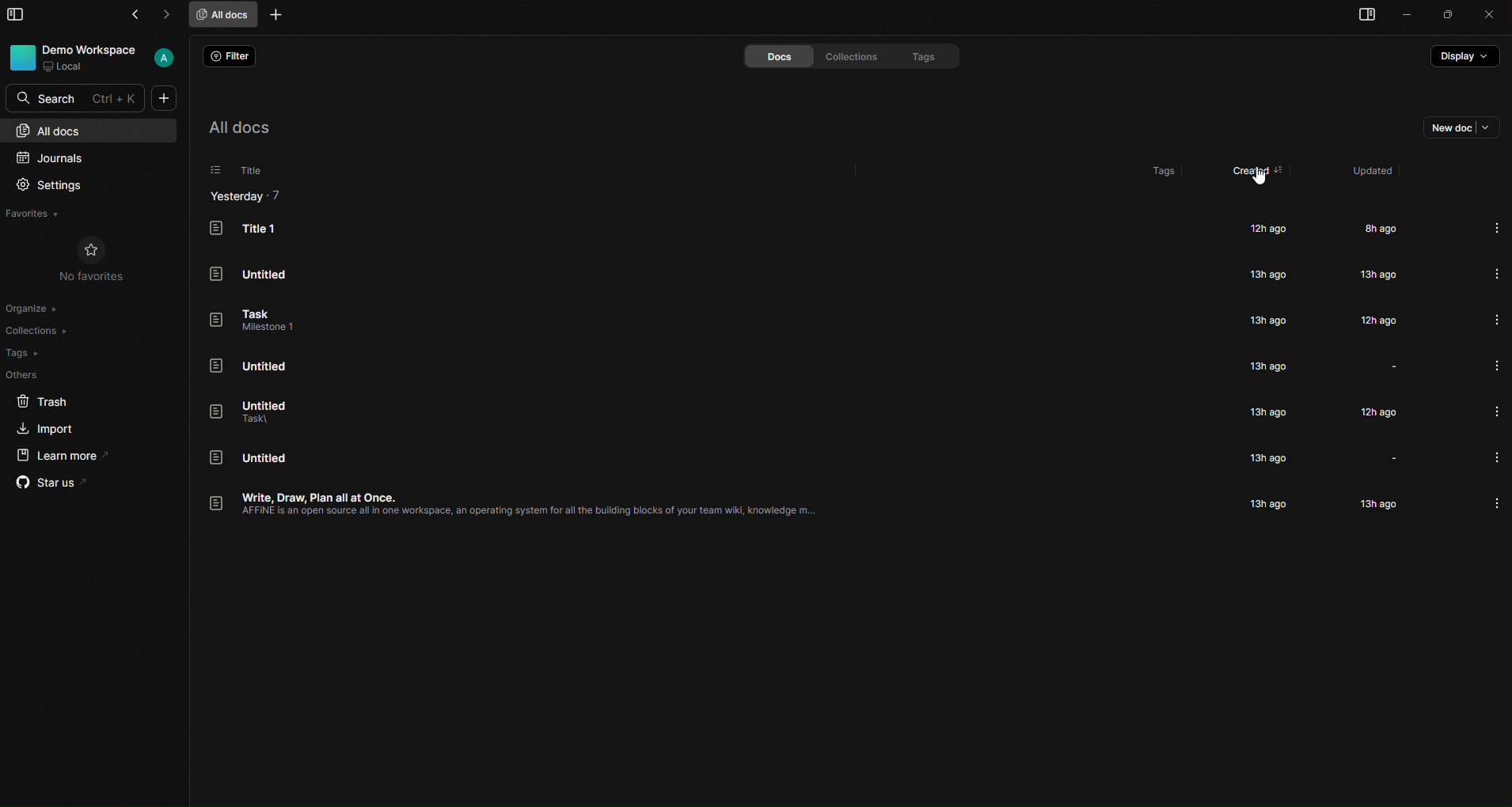 This screenshot has width=1512, height=807. What do you see at coordinates (1259, 180) in the screenshot?
I see `cursor` at bounding box center [1259, 180].